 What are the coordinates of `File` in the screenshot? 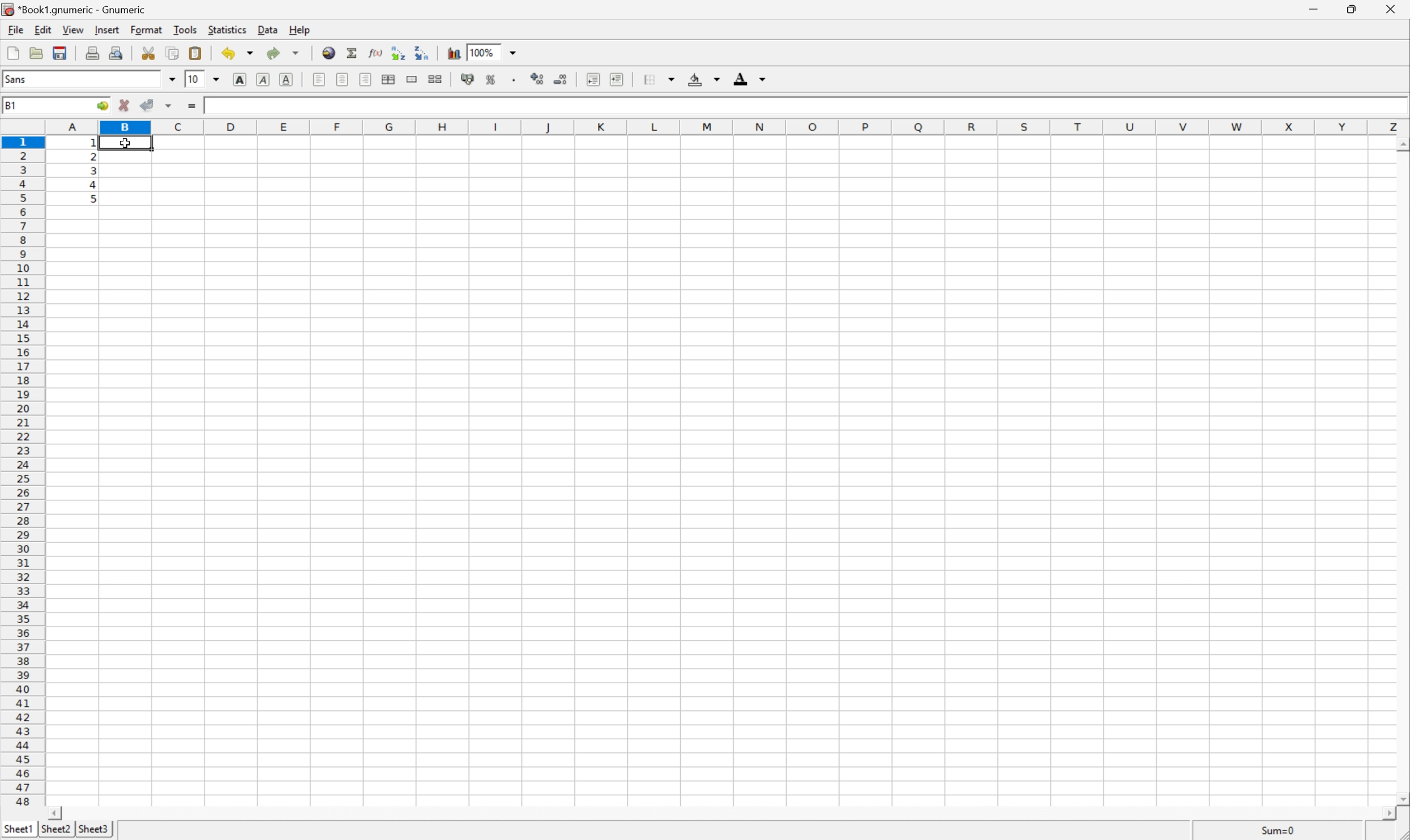 It's located at (15, 31).